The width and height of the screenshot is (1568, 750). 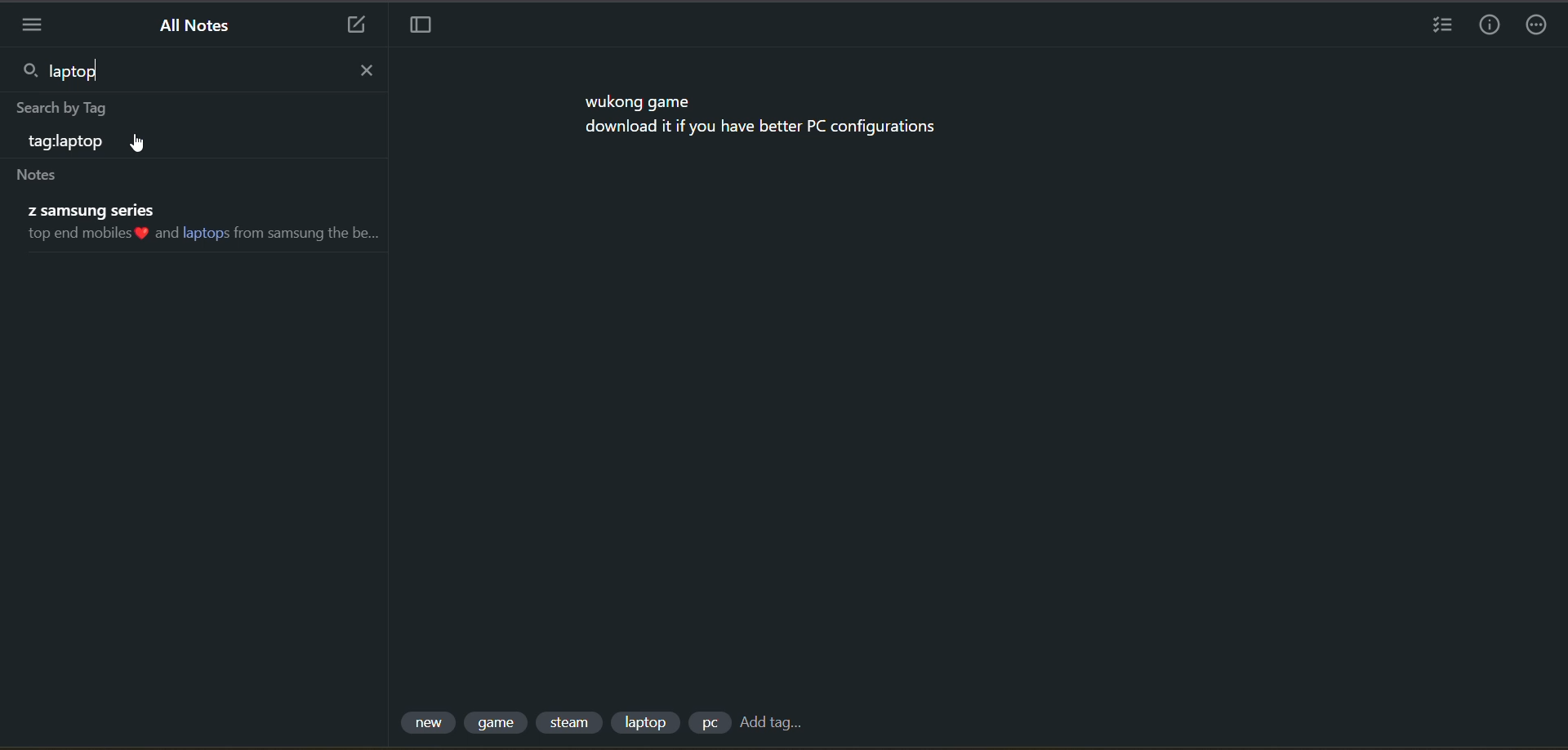 I want to click on search, so click(x=27, y=71).